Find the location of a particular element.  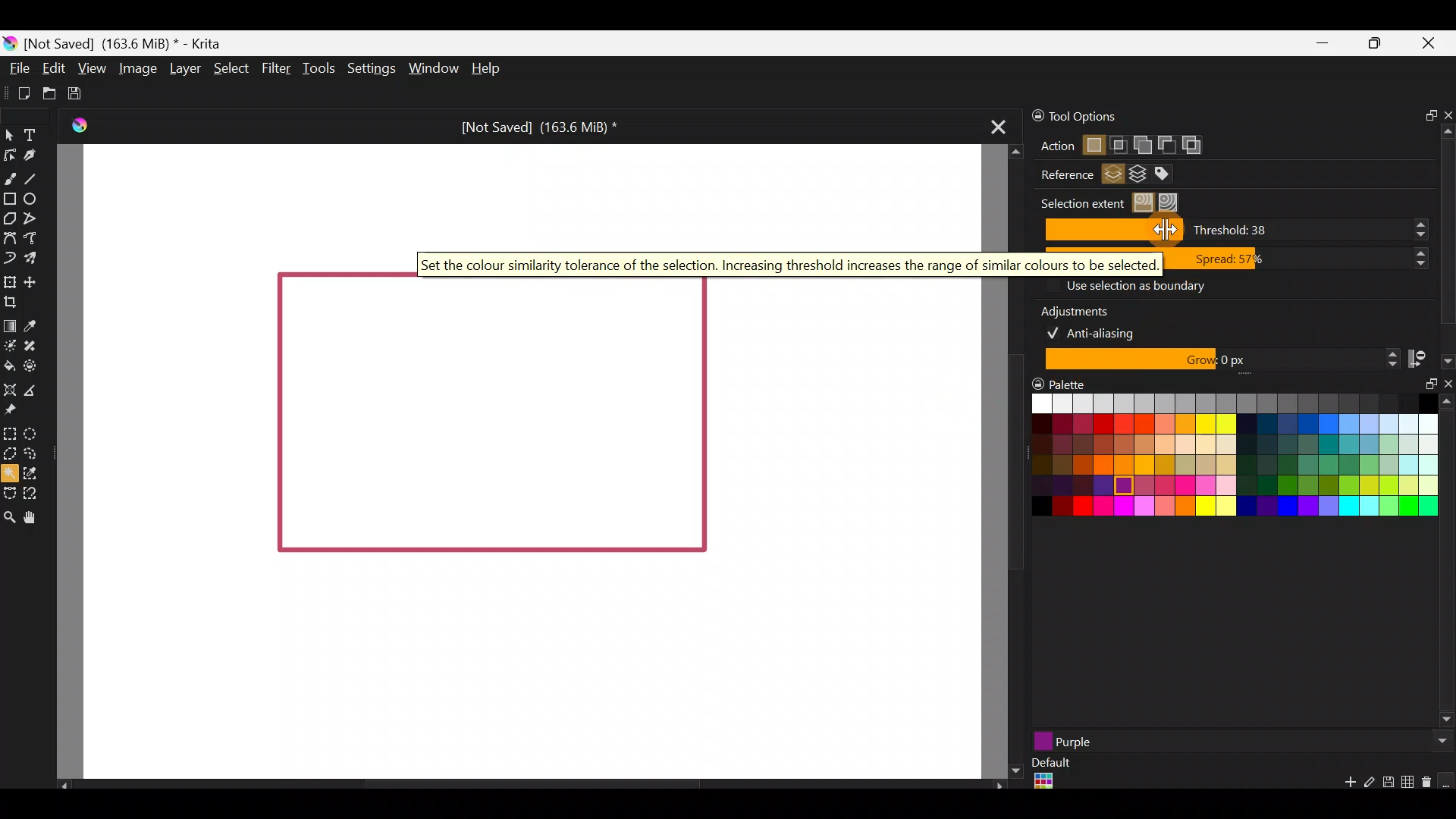

Freehand path tool is located at coordinates (34, 237).